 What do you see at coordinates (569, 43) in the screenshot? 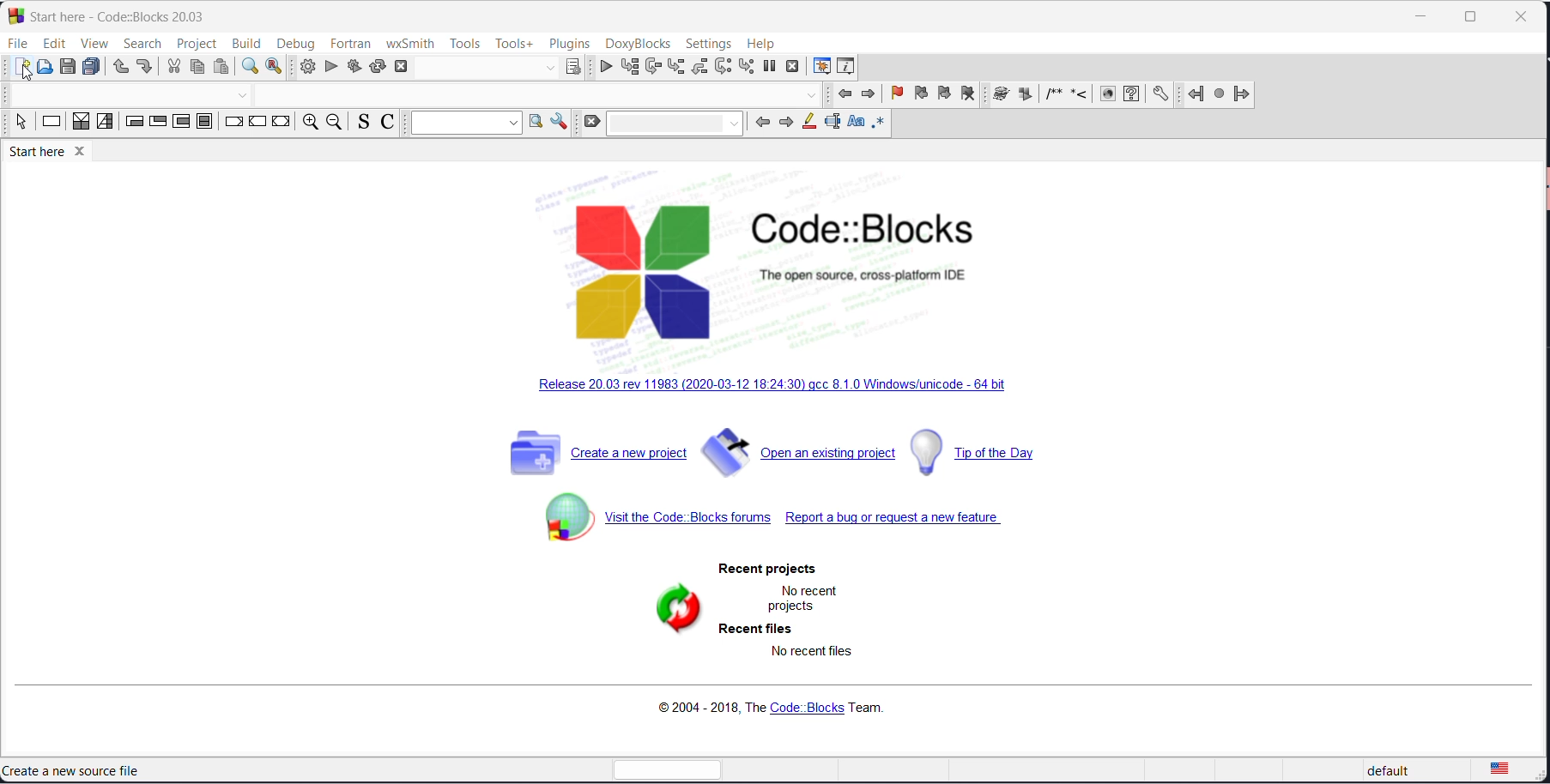
I see `plugins` at bounding box center [569, 43].